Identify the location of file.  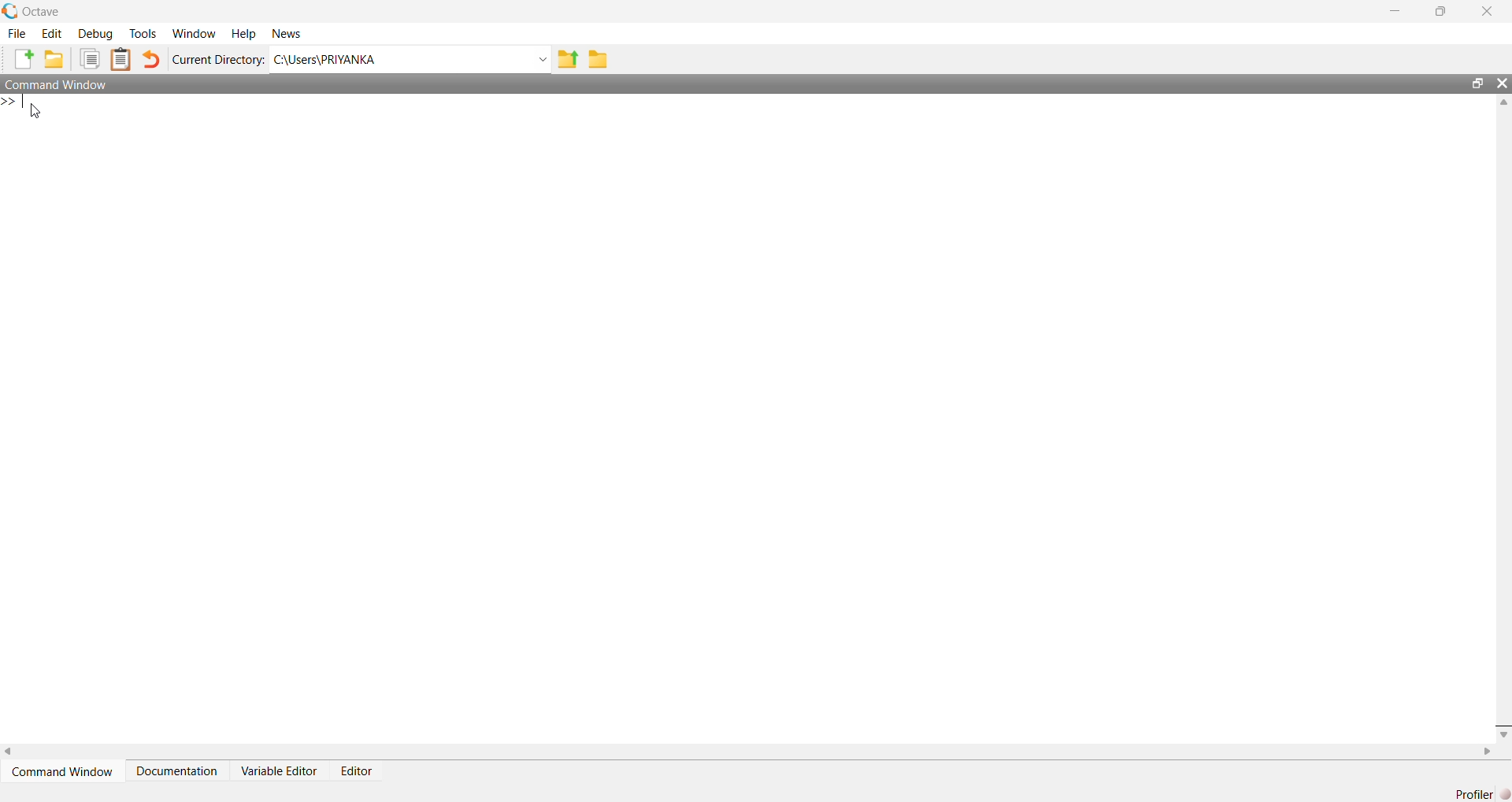
(19, 32).